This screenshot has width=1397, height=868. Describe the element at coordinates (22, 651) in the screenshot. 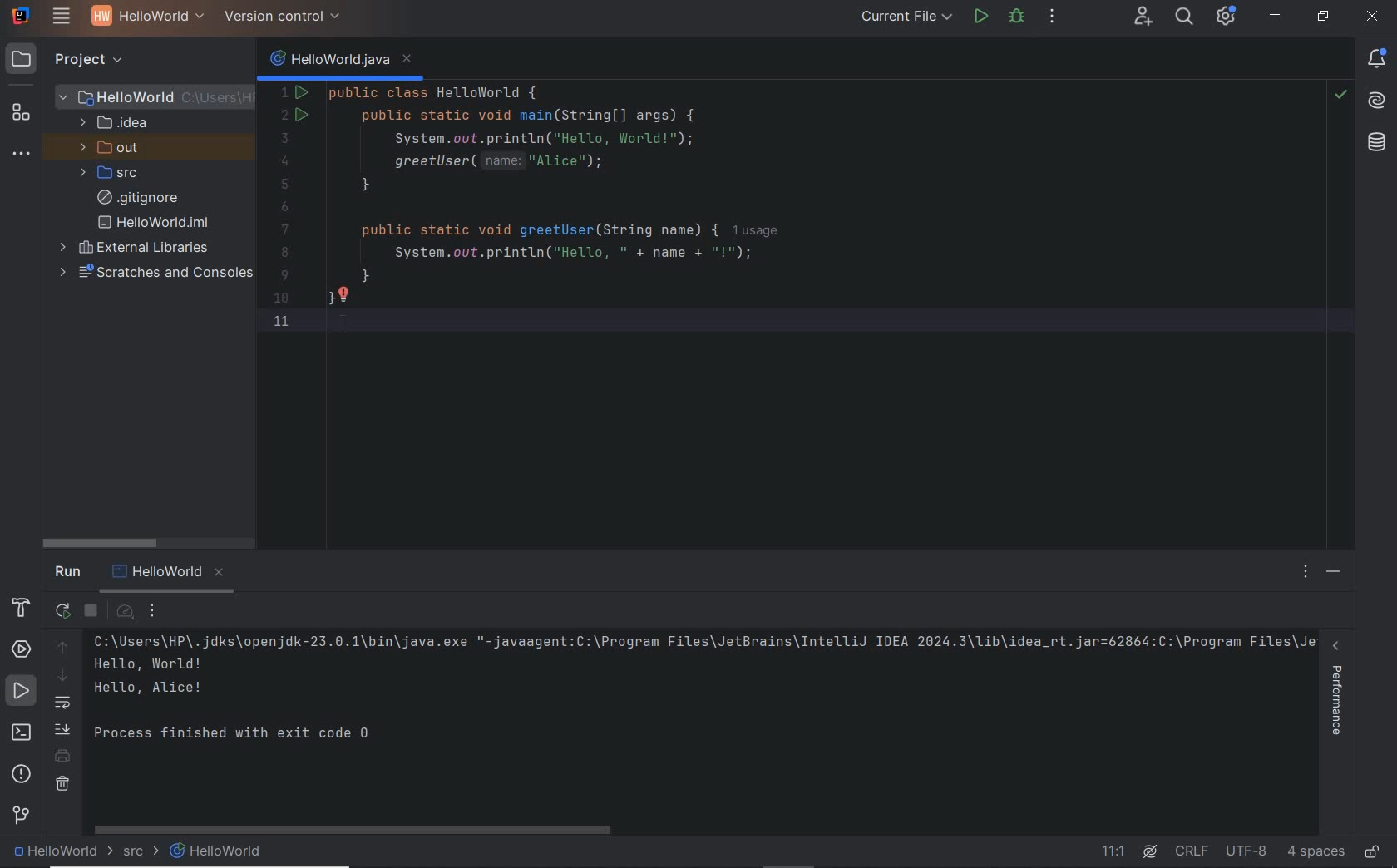

I see `services` at that location.